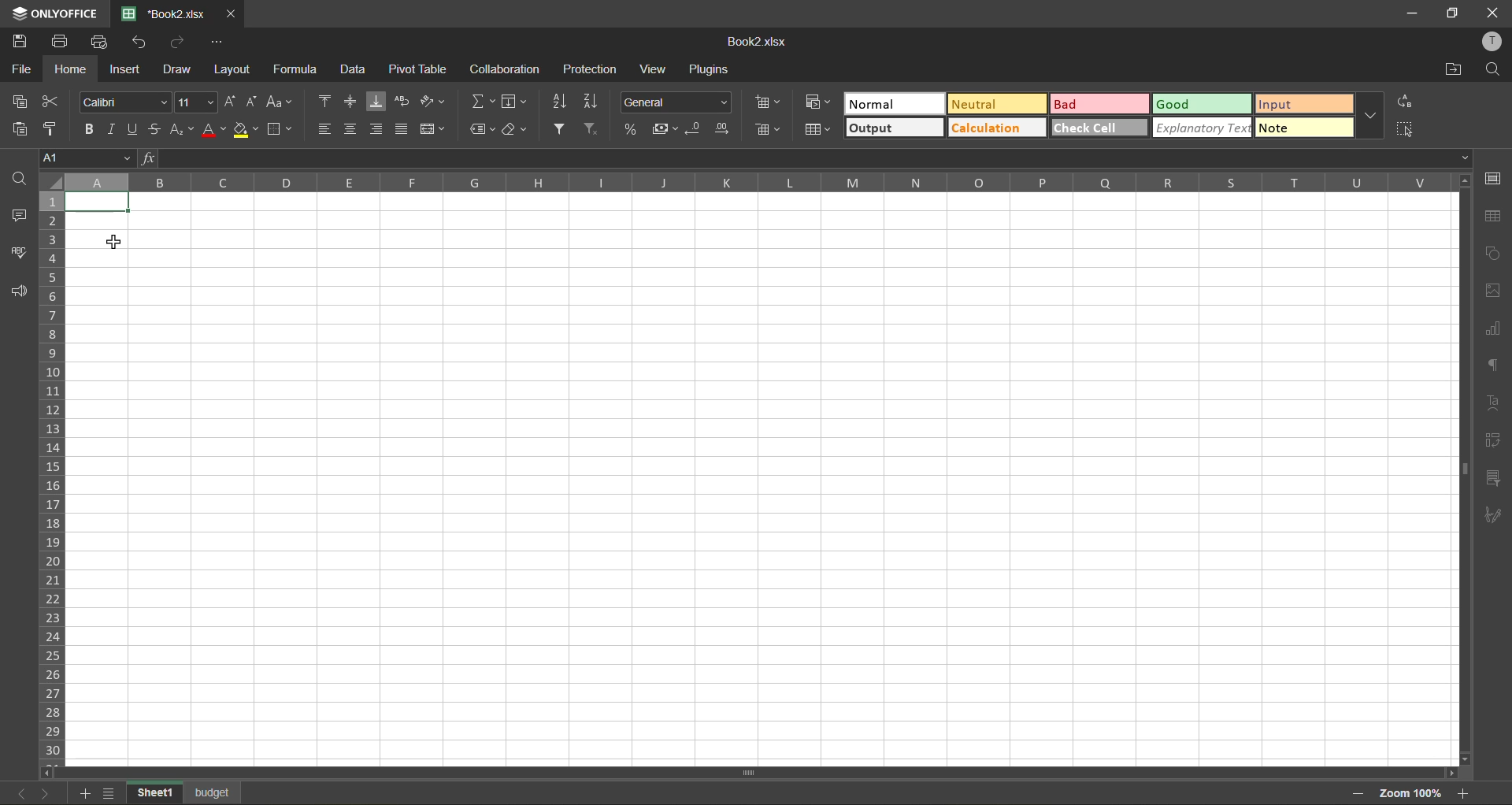 This screenshot has height=805, width=1512. I want to click on zoom out, so click(1357, 793).